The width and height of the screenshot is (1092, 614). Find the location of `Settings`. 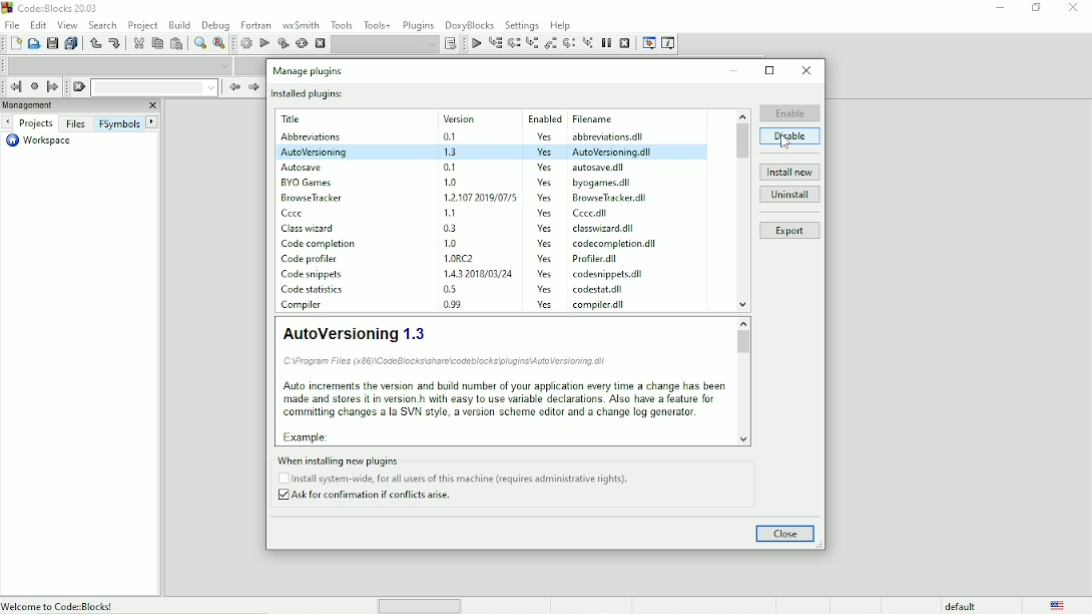

Settings is located at coordinates (523, 24).